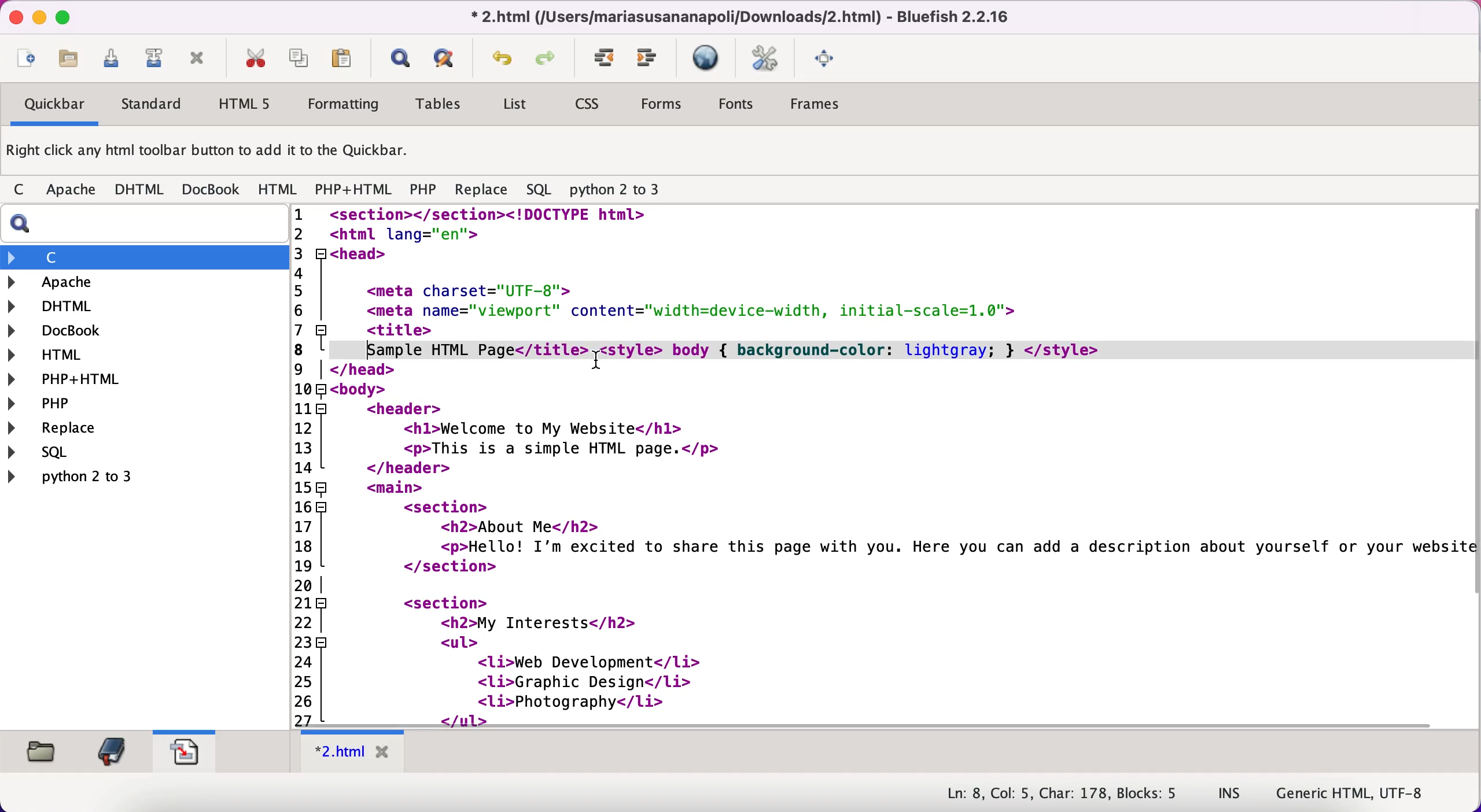 The height and width of the screenshot is (812, 1481). What do you see at coordinates (765, 60) in the screenshot?
I see `edit preferences` at bounding box center [765, 60].